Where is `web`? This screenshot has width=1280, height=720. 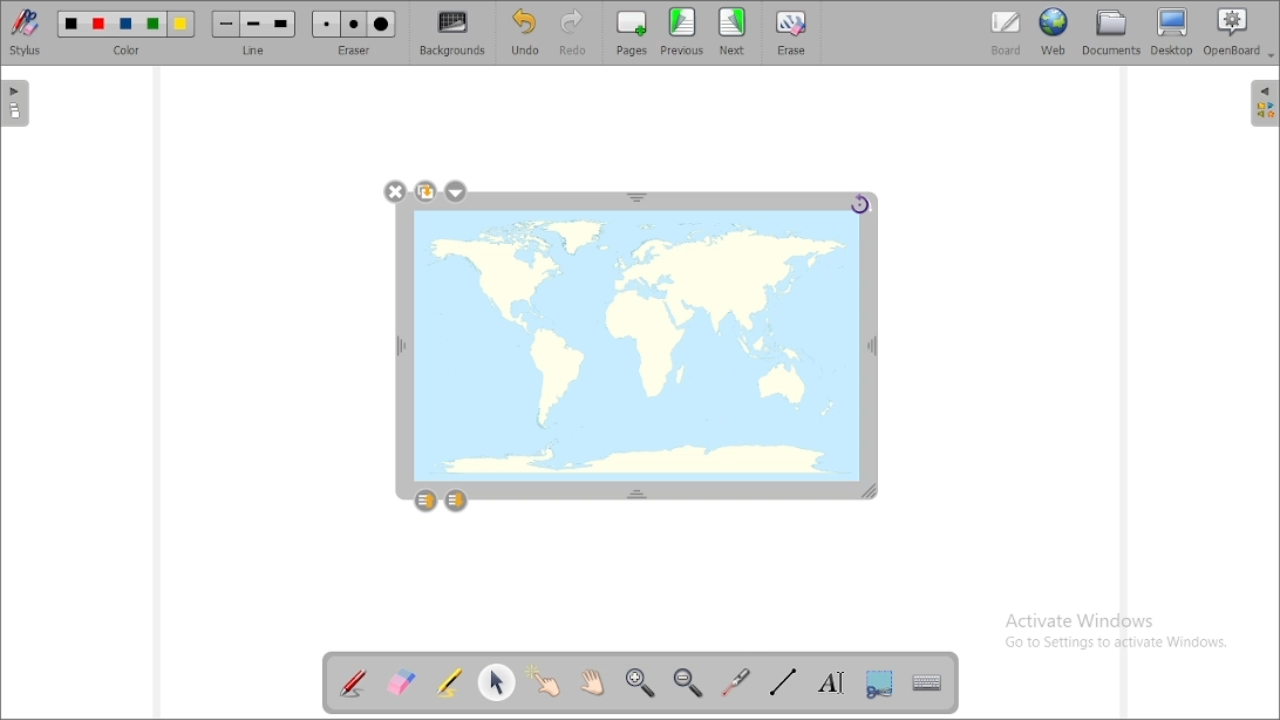 web is located at coordinates (1054, 32).